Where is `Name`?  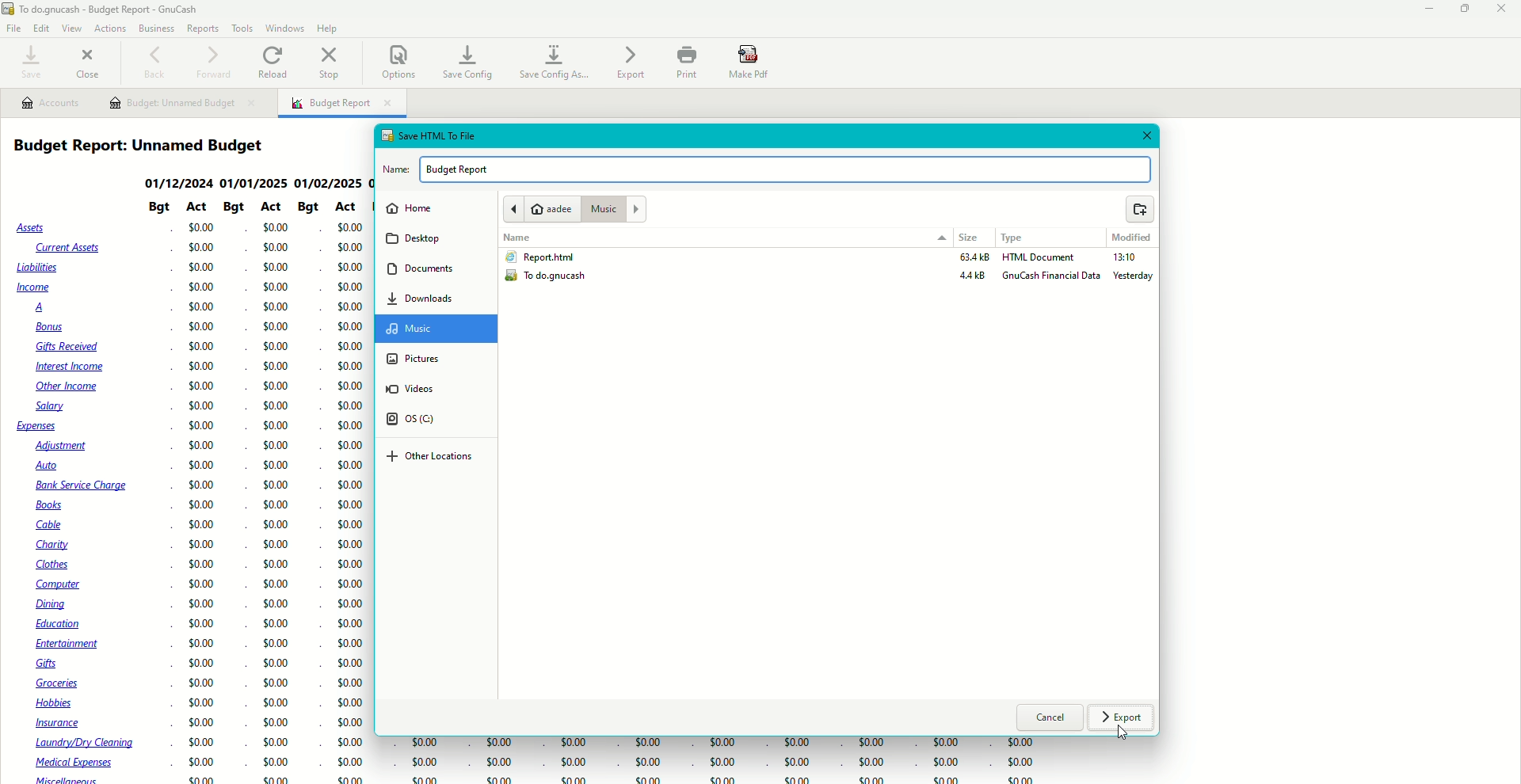
Name is located at coordinates (520, 238).